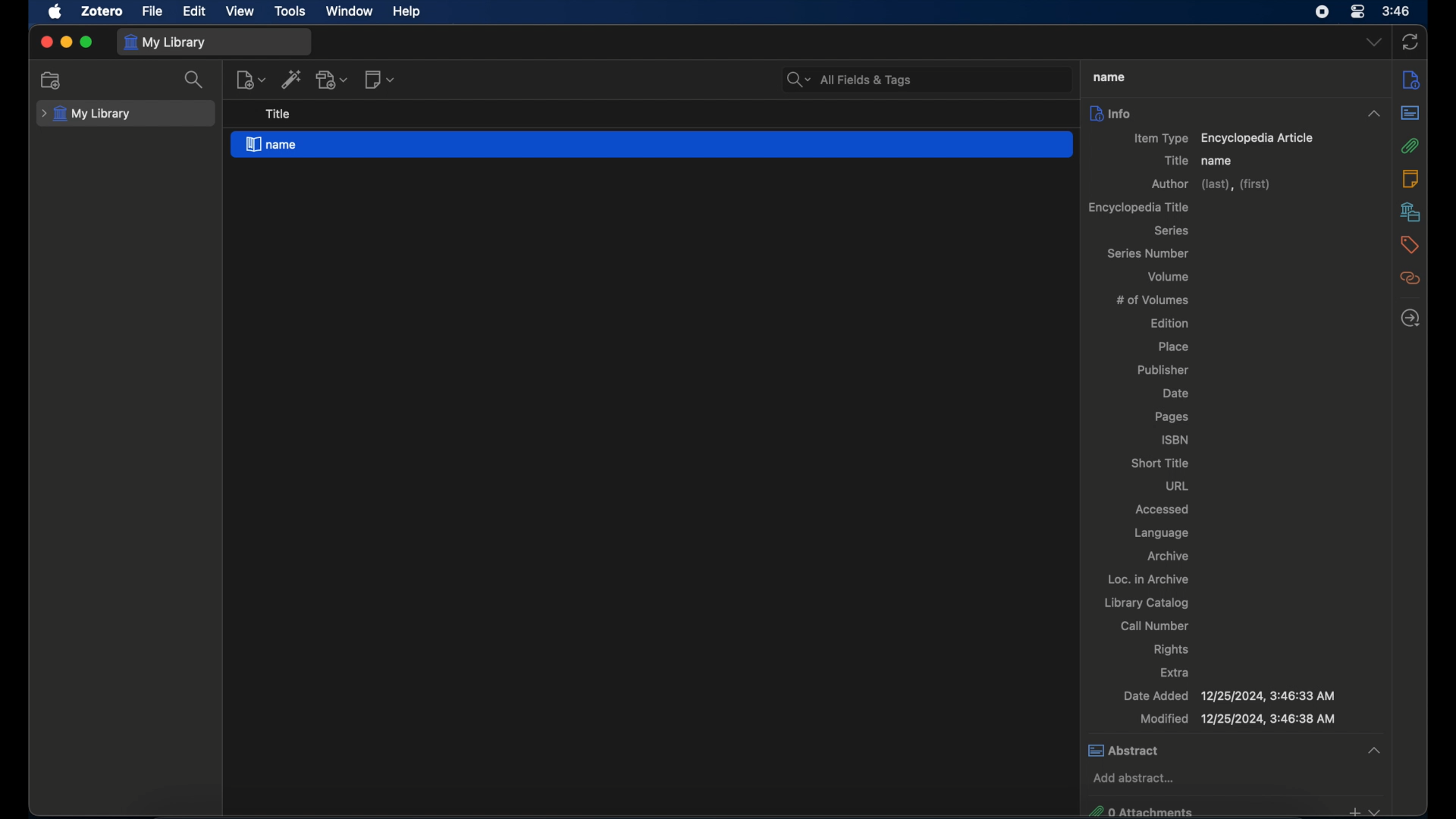 The height and width of the screenshot is (819, 1456). What do you see at coordinates (104, 10) in the screenshot?
I see `zotero` at bounding box center [104, 10].